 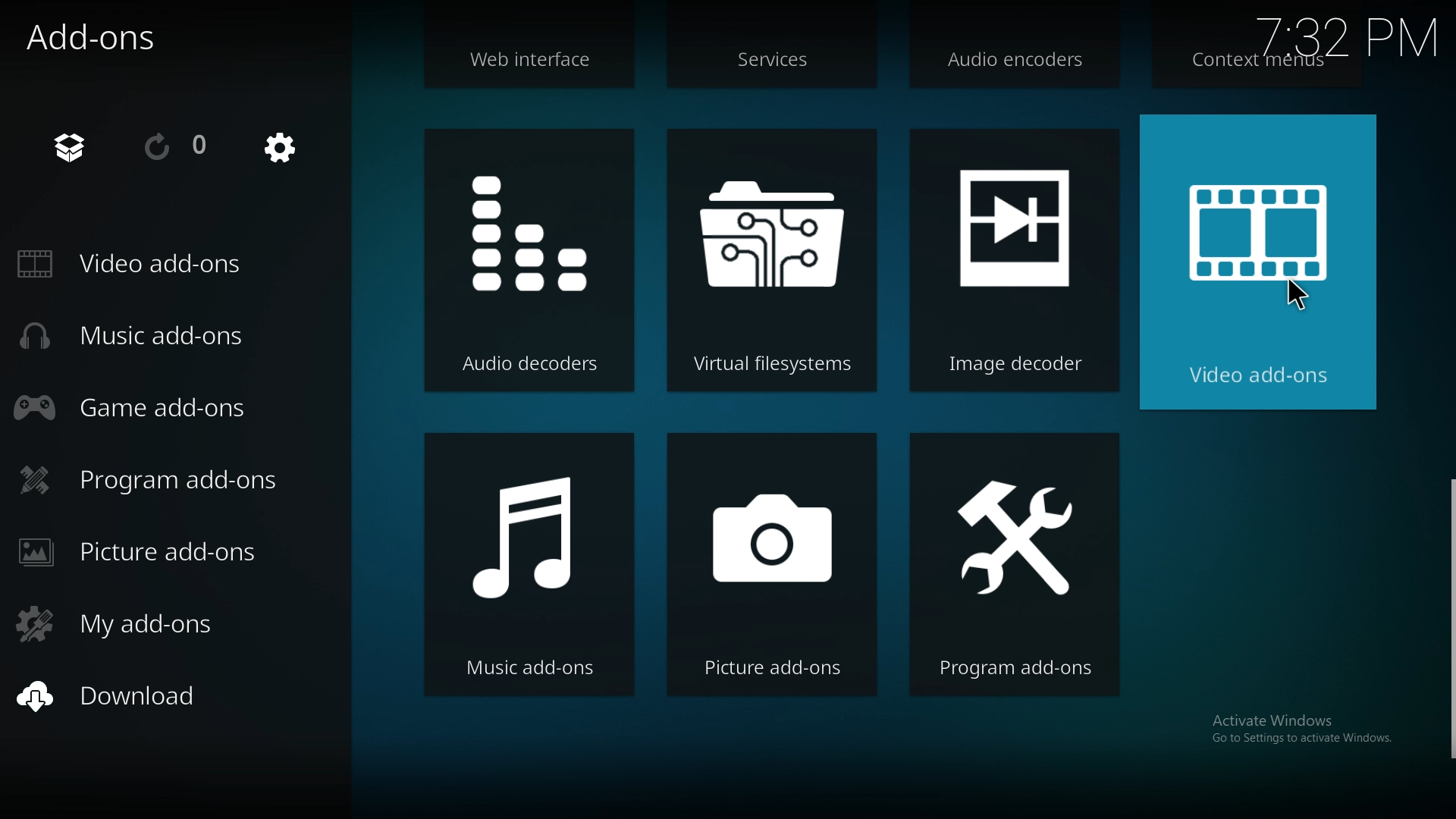 I want to click on refresh, so click(x=176, y=148).